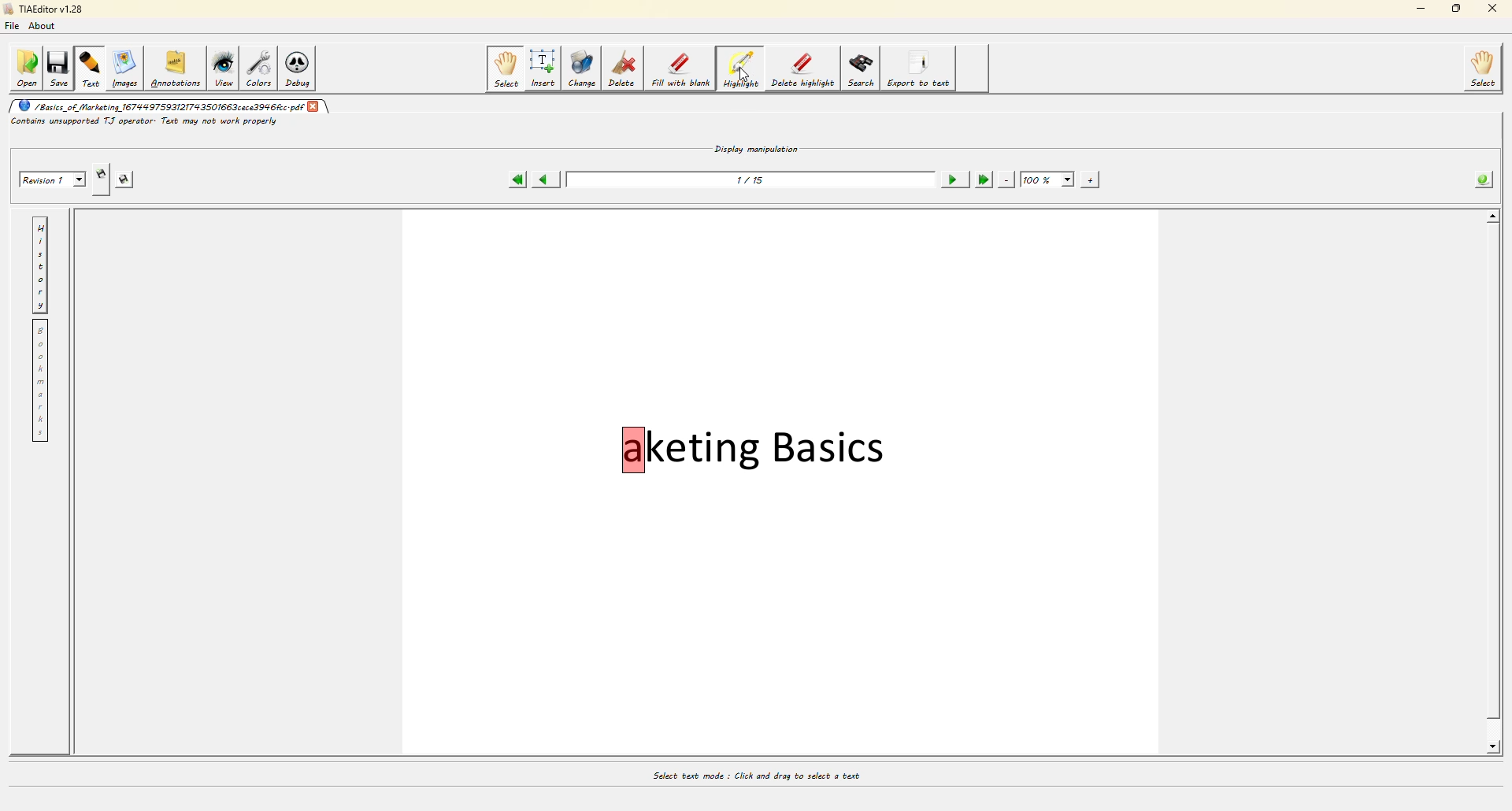 The width and height of the screenshot is (1512, 811). Describe the element at coordinates (128, 71) in the screenshot. I see `images` at that location.